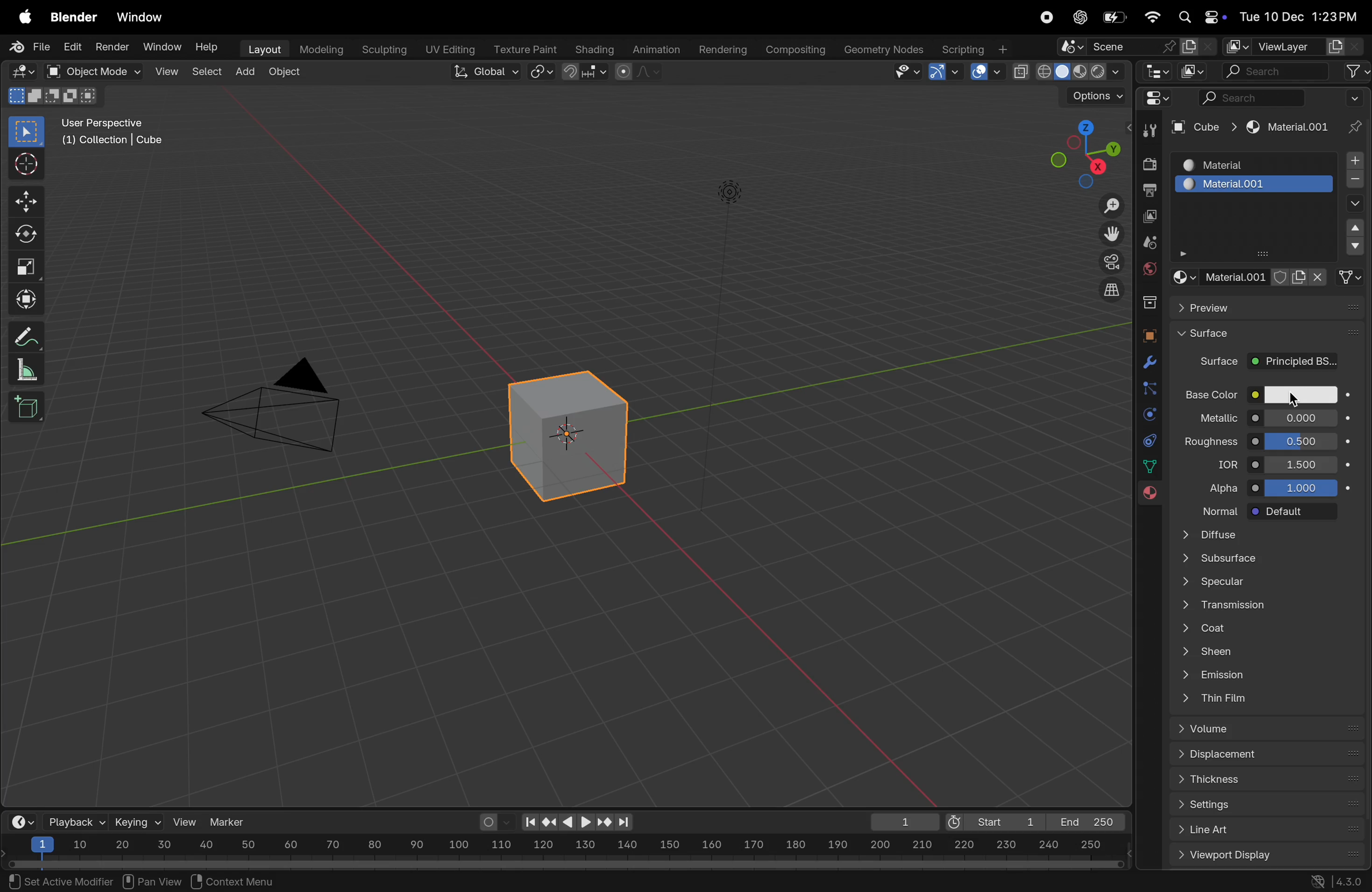 The width and height of the screenshot is (1372, 892). I want to click on ¥) set Active Modifier, so click(54, 880).